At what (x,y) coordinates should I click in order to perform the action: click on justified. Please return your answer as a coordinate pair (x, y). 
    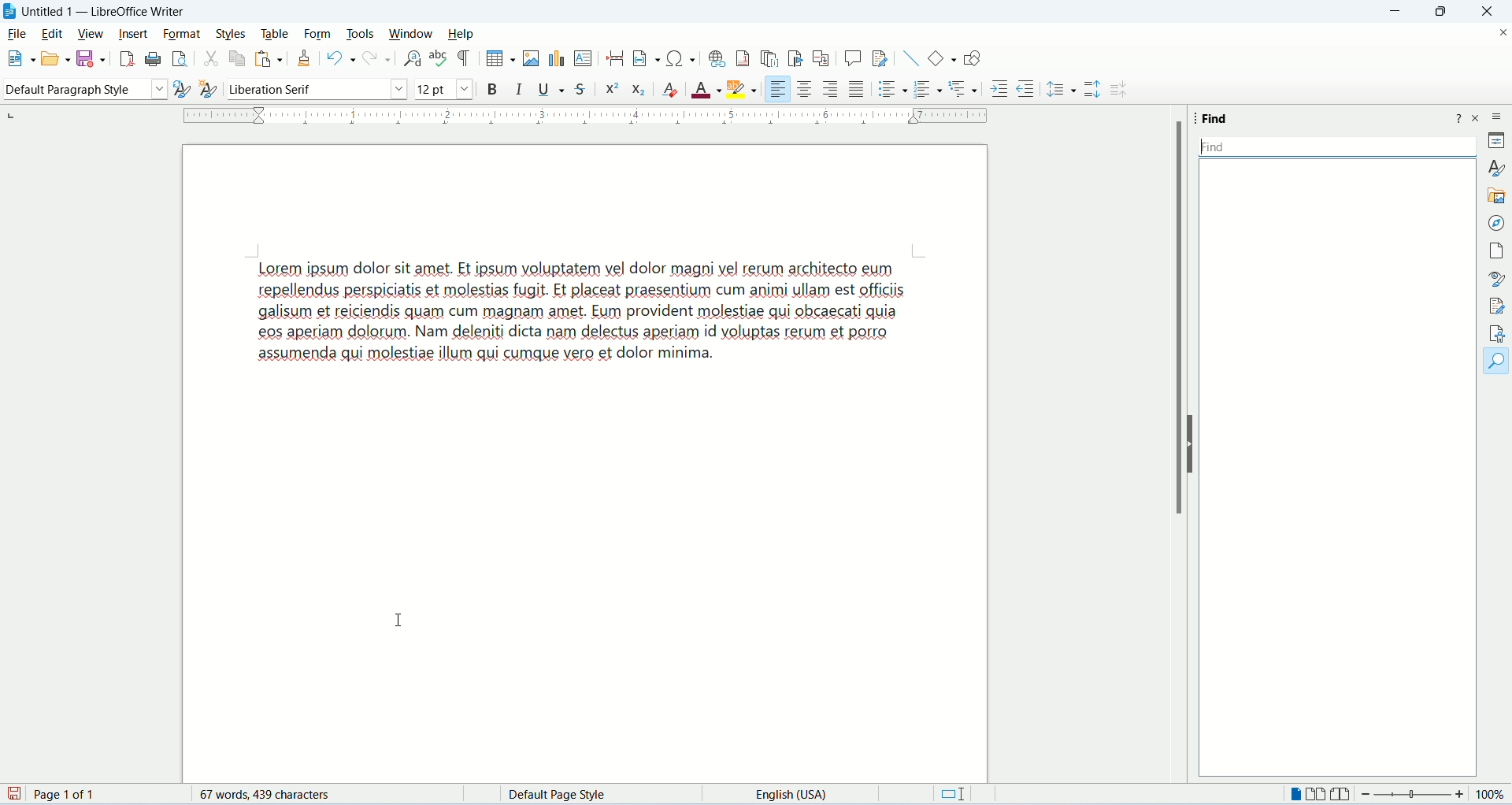
    Looking at the image, I should click on (854, 89).